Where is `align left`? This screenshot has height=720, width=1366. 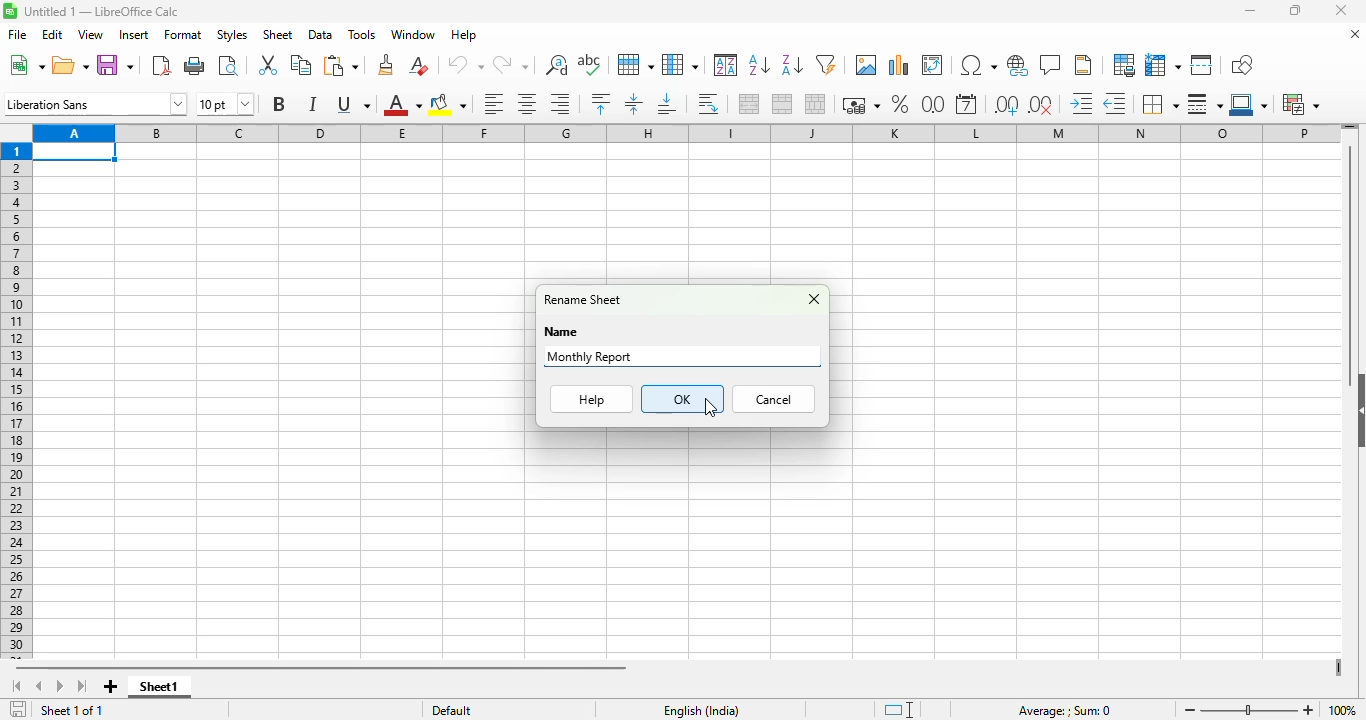 align left is located at coordinates (495, 104).